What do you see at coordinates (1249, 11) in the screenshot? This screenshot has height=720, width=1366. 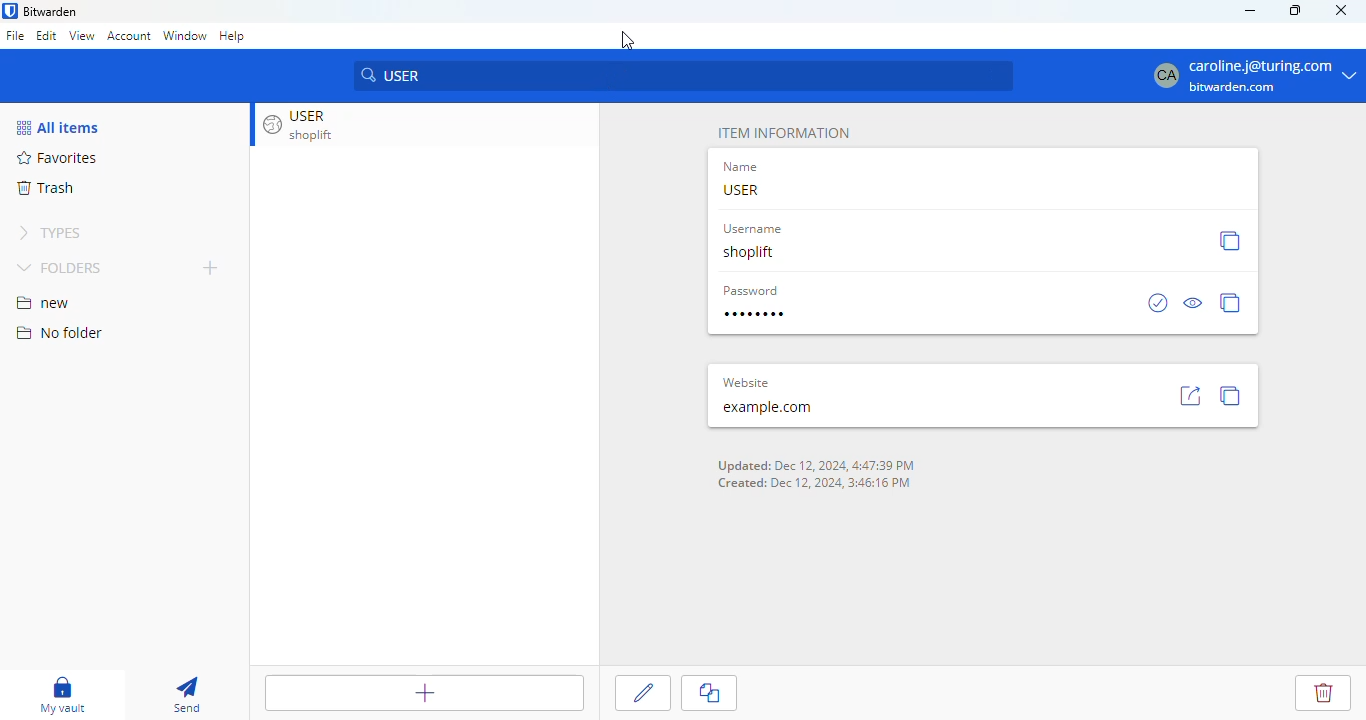 I see `minimize` at bounding box center [1249, 11].